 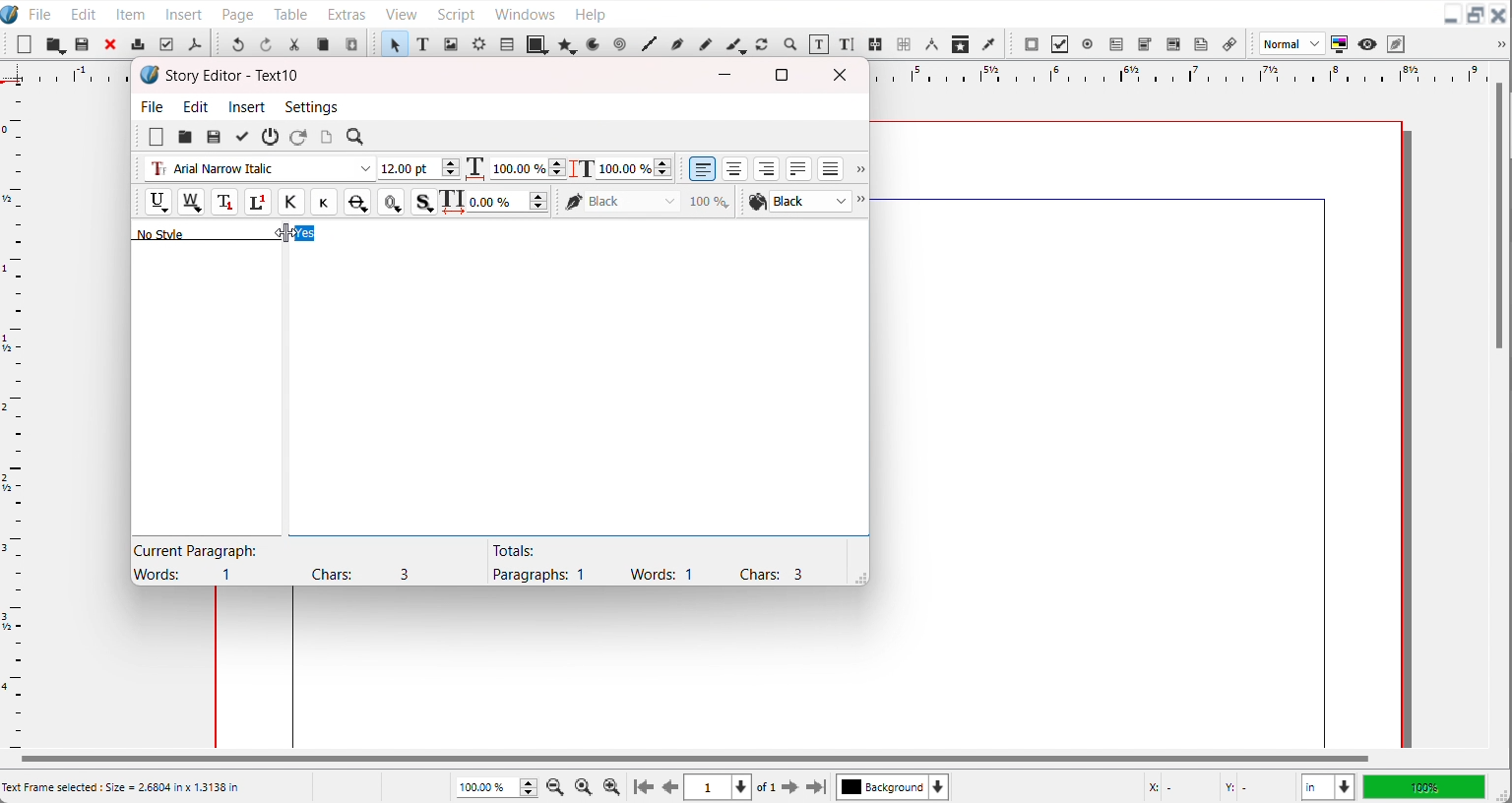 What do you see at coordinates (55, 44) in the screenshot?
I see `Save` at bounding box center [55, 44].